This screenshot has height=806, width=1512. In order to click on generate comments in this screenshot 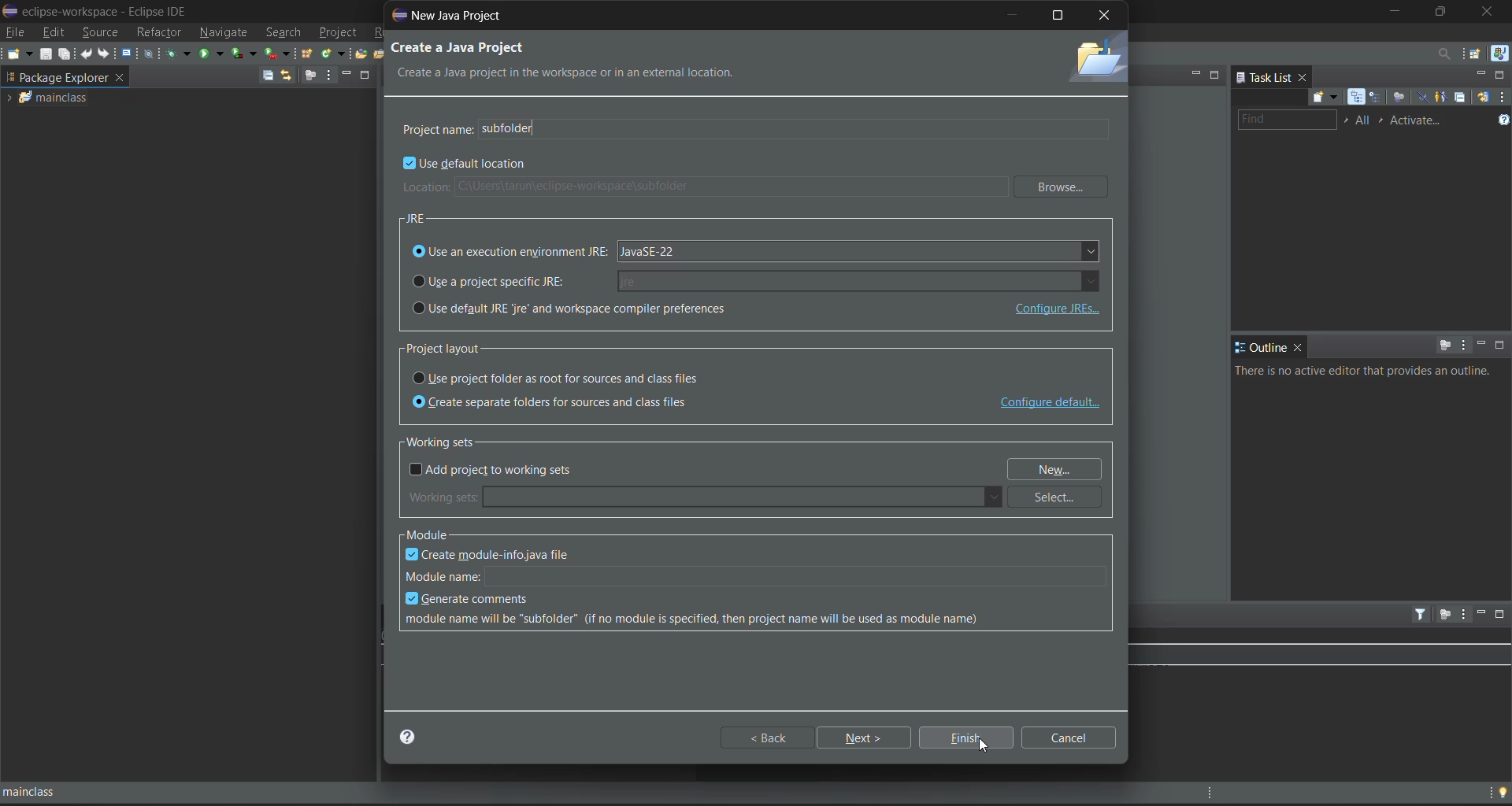, I will do `click(472, 600)`.